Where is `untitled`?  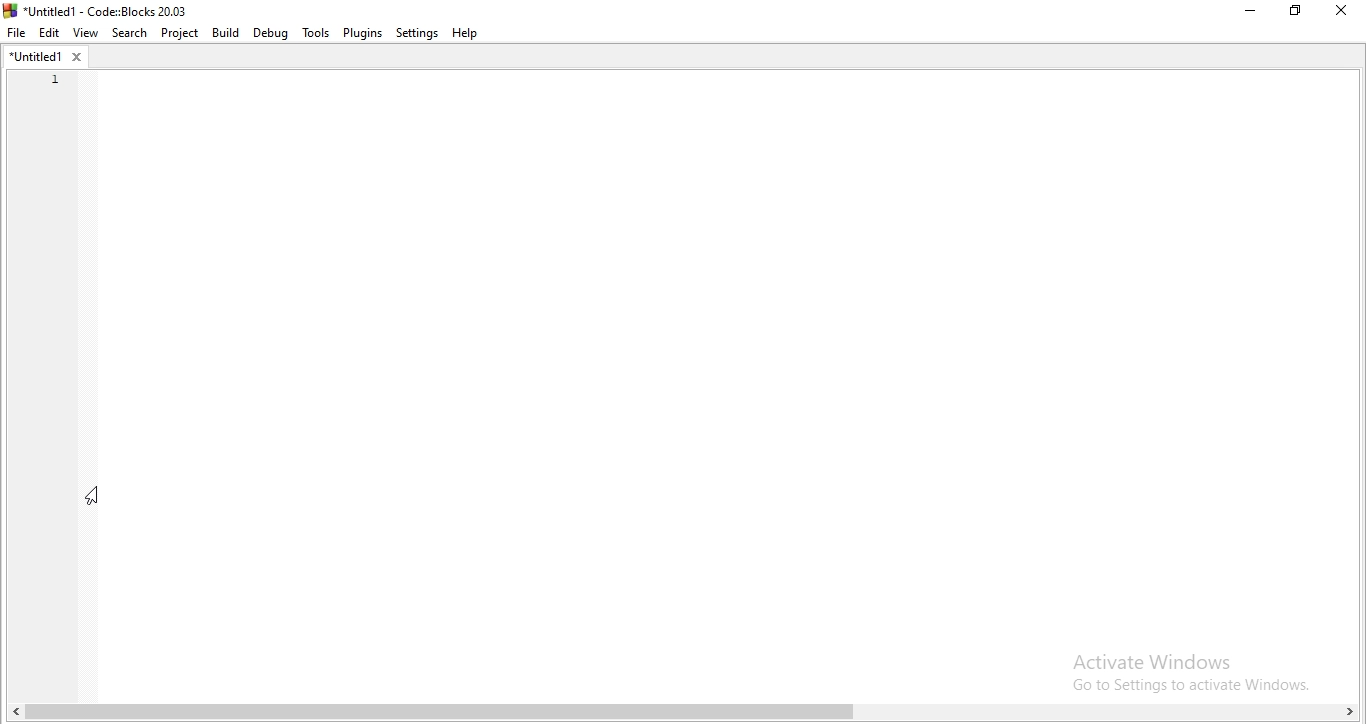 untitled is located at coordinates (44, 56).